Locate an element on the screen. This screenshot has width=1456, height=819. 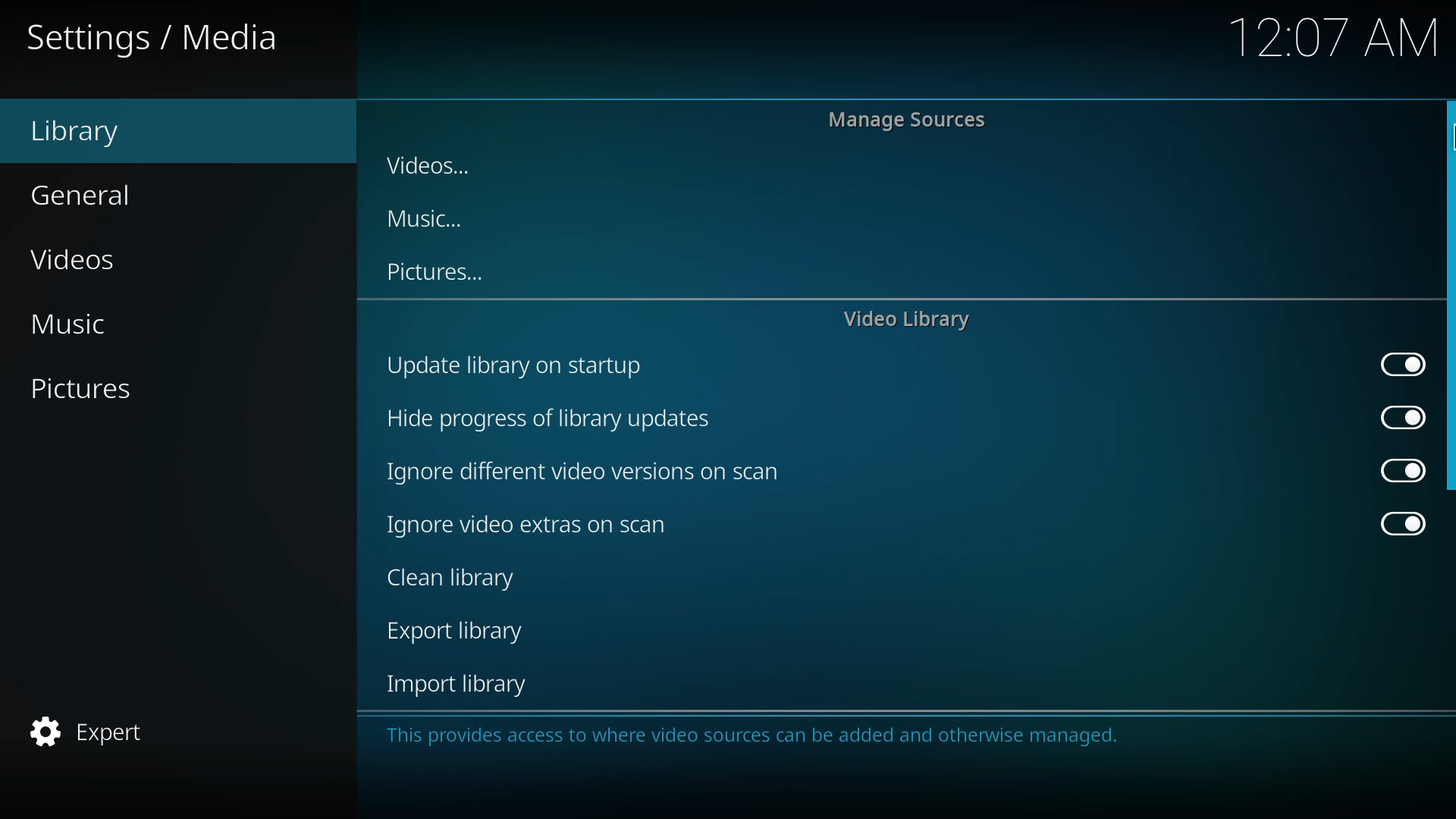
videos is located at coordinates (423, 165).